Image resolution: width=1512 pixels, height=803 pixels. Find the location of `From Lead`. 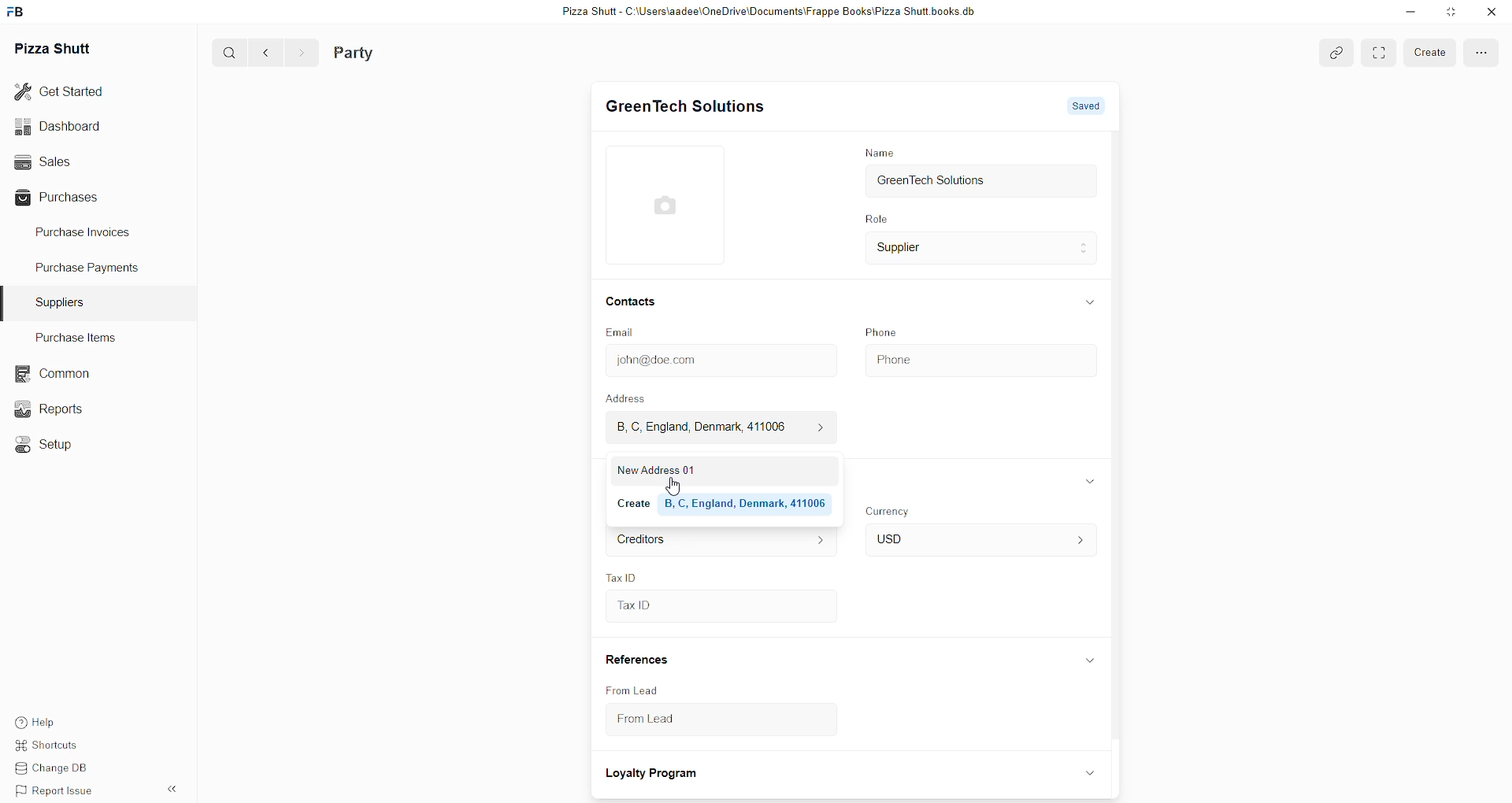

From Lead is located at coordinates (633, 690).